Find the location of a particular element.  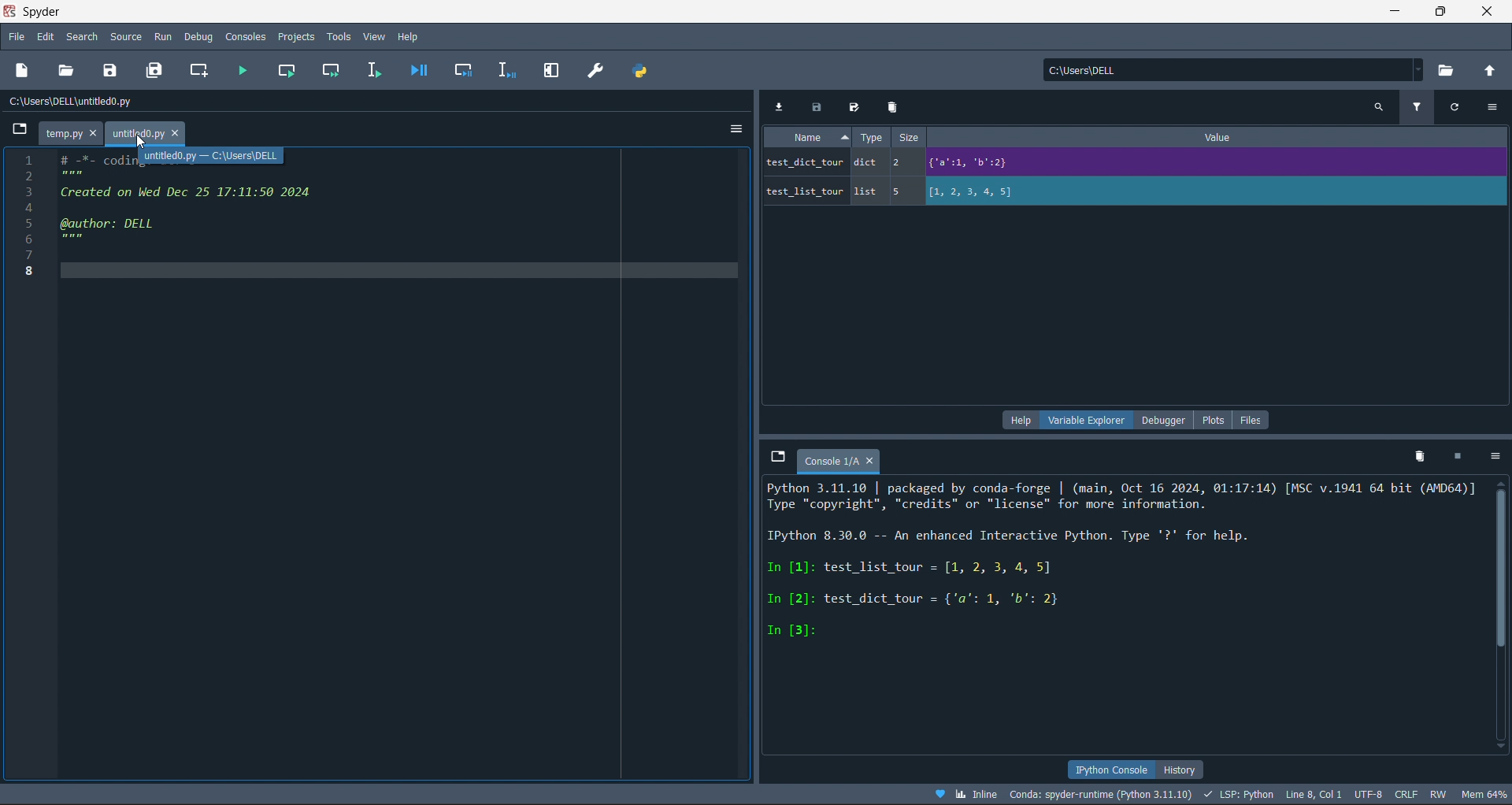

create cell is located at coordinates (202, 71).